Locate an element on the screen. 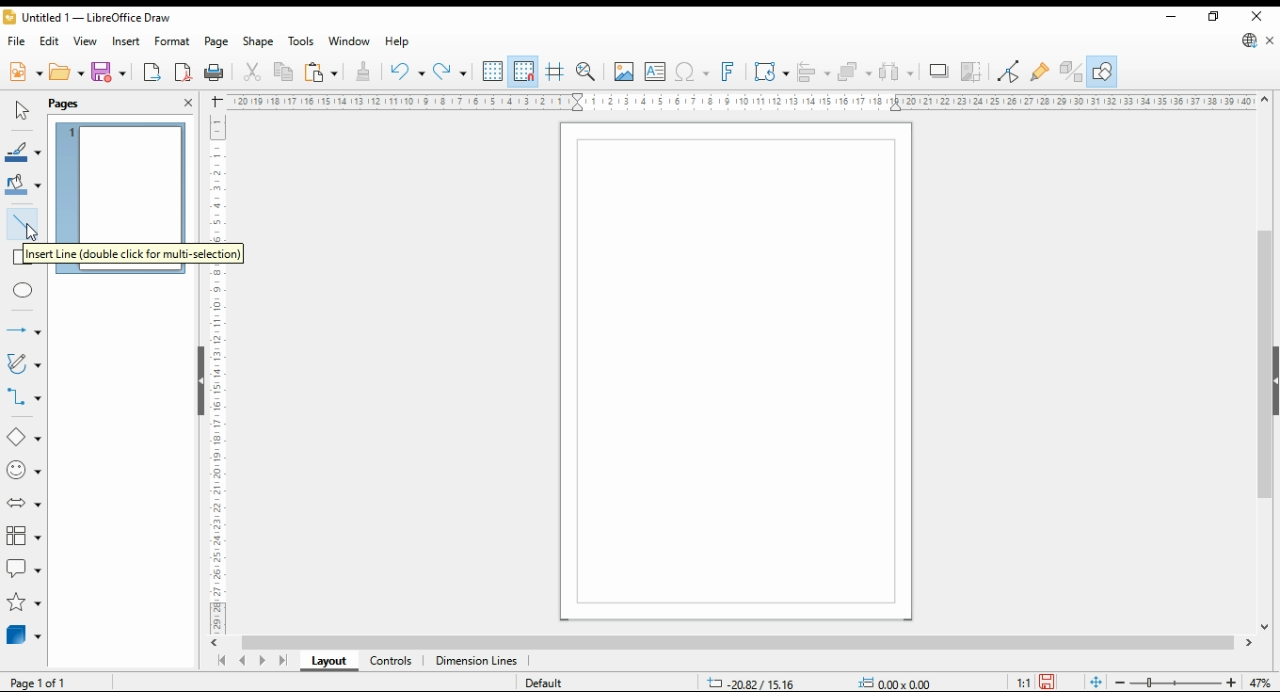 The height and width of the screenshot is (692, 1280). move up is located at coordinates (1265, 100).